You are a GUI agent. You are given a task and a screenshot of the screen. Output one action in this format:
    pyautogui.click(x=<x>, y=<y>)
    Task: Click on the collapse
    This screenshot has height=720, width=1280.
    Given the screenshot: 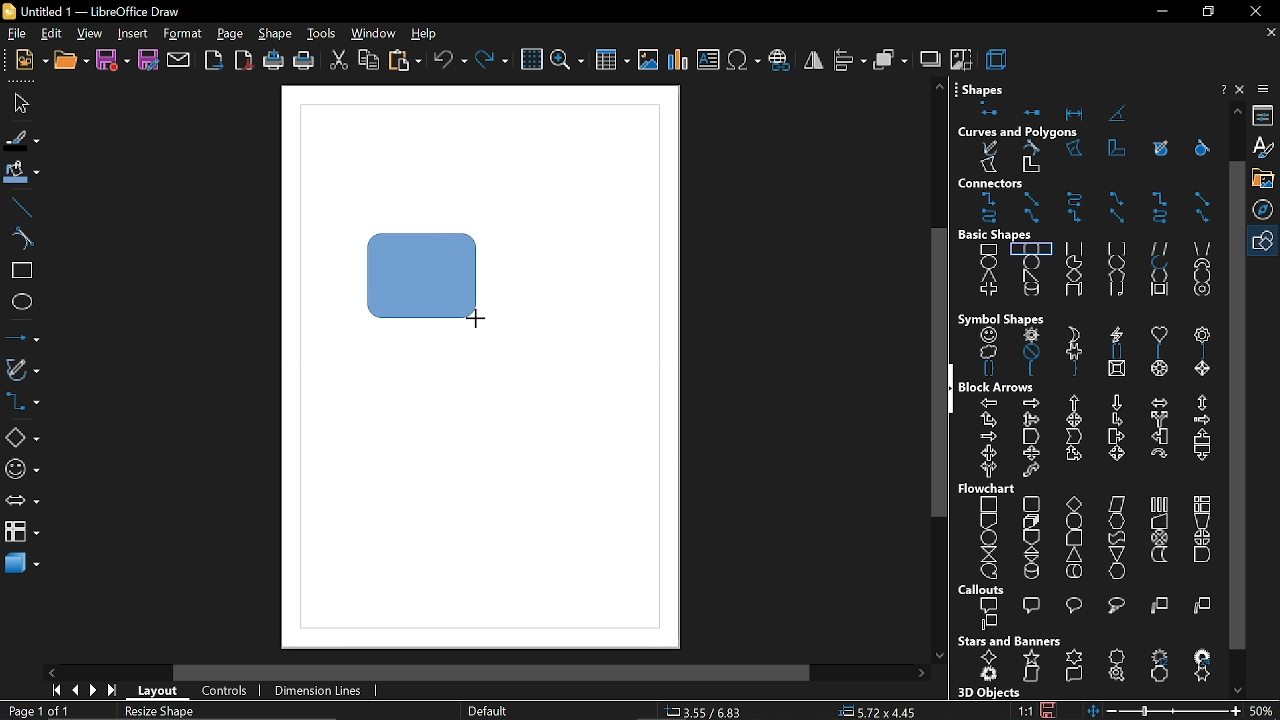 What is the action you would take?
    pyautogui.click(x=952, y=388)
    